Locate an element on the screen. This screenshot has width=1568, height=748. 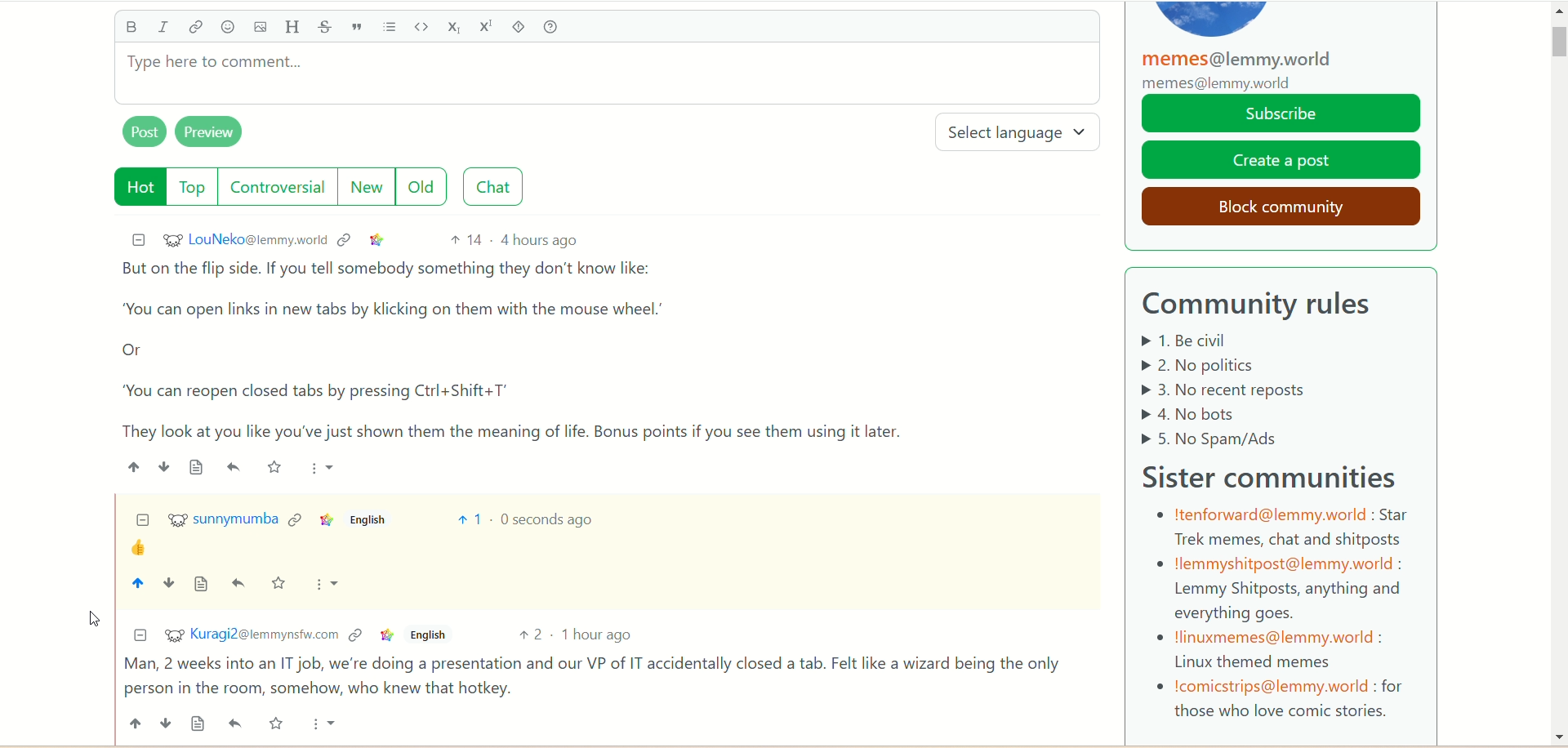
scroll bar is located at coordinates (1557, 106).